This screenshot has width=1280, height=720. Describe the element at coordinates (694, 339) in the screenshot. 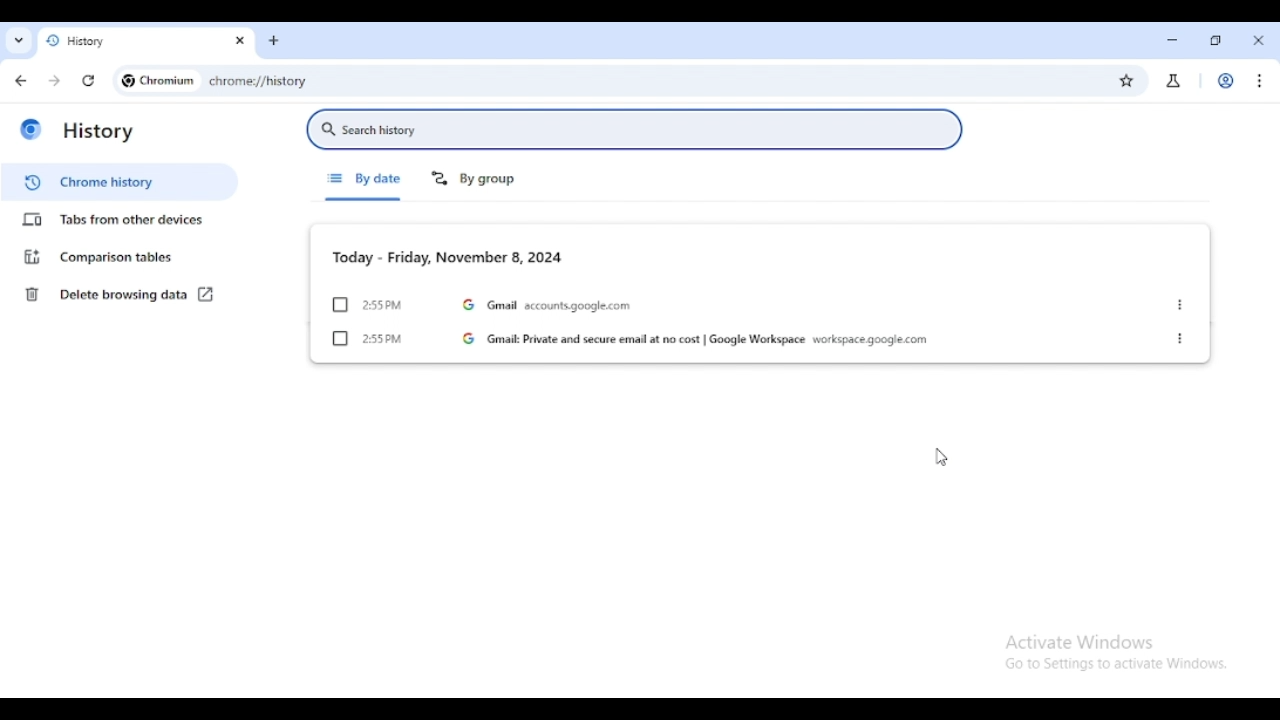

I see `Gmail: private and secure email at no cost | Google workspace workspace.google.com` at that location.